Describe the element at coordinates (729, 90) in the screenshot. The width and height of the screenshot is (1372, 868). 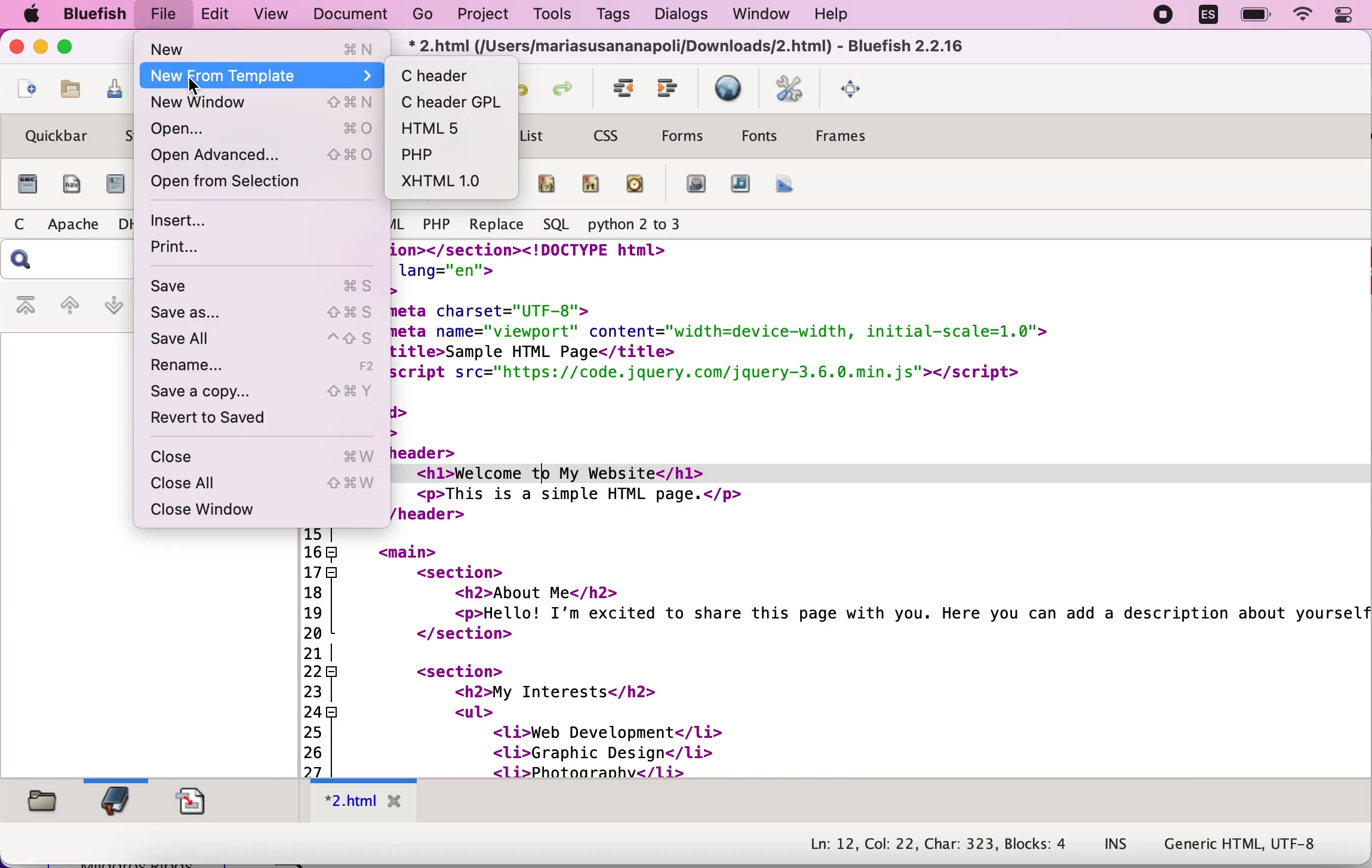
I see `preview in browser` at that location.